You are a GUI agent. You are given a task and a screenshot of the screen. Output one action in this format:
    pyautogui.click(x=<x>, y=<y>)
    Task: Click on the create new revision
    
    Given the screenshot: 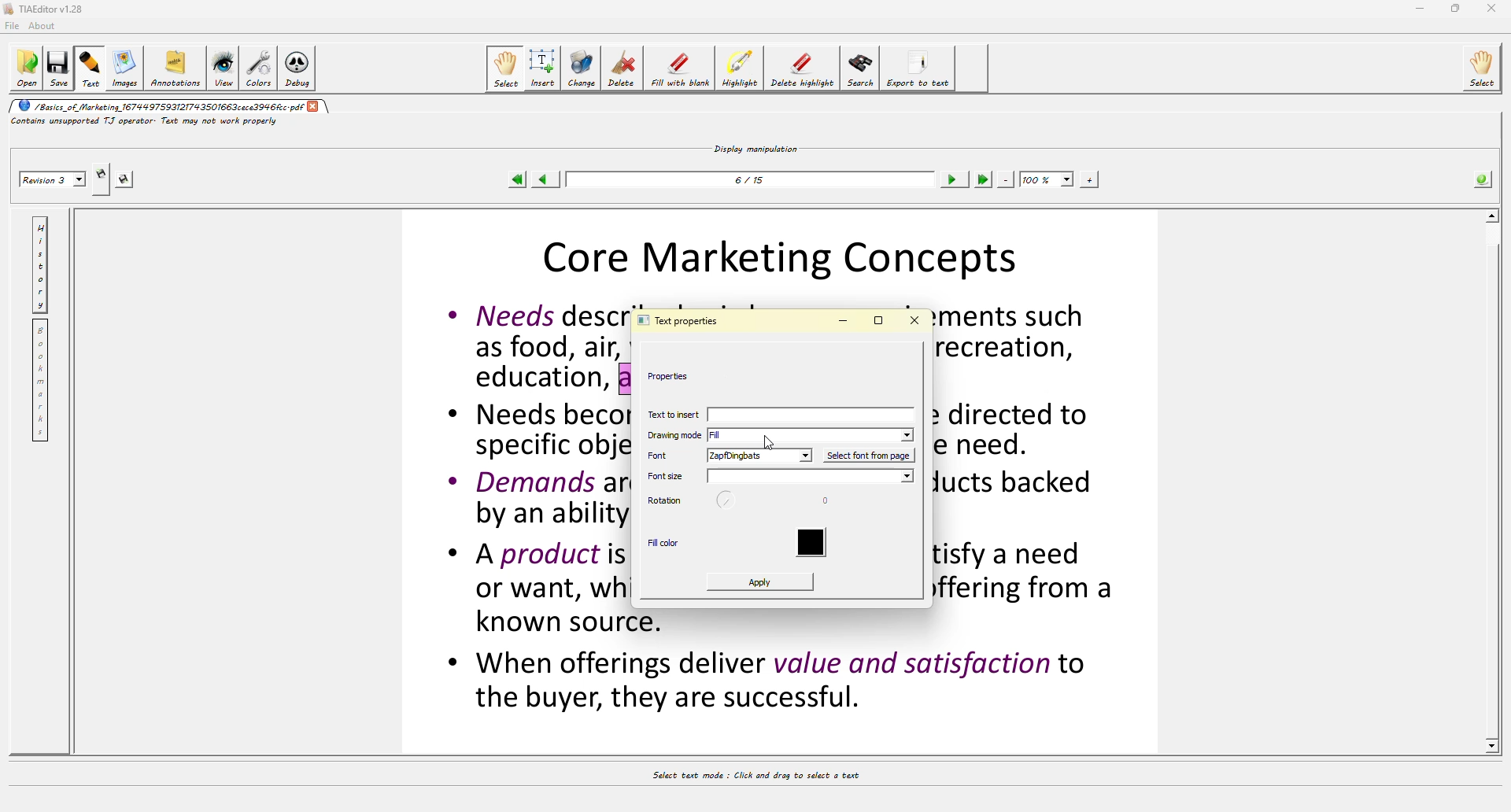 What is the action you would take?
    pyautogui.click(x=102, y=172)
    